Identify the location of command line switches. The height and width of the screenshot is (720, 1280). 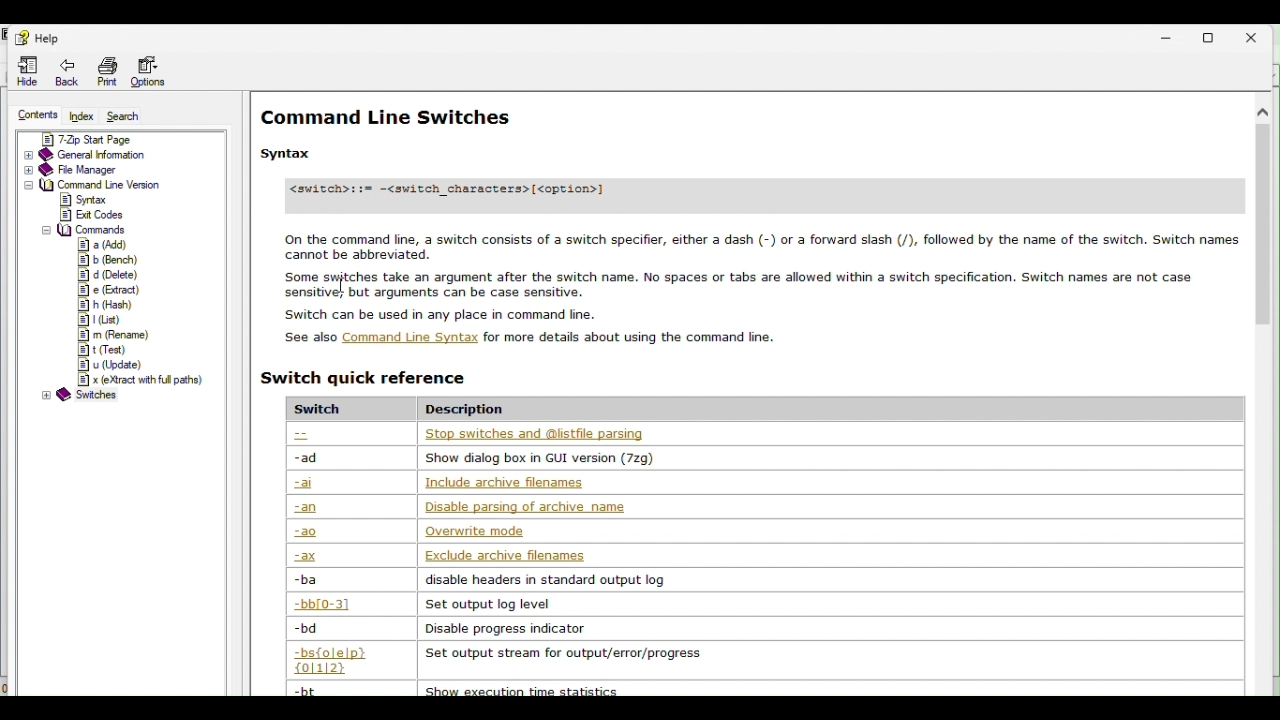
(391, 119).